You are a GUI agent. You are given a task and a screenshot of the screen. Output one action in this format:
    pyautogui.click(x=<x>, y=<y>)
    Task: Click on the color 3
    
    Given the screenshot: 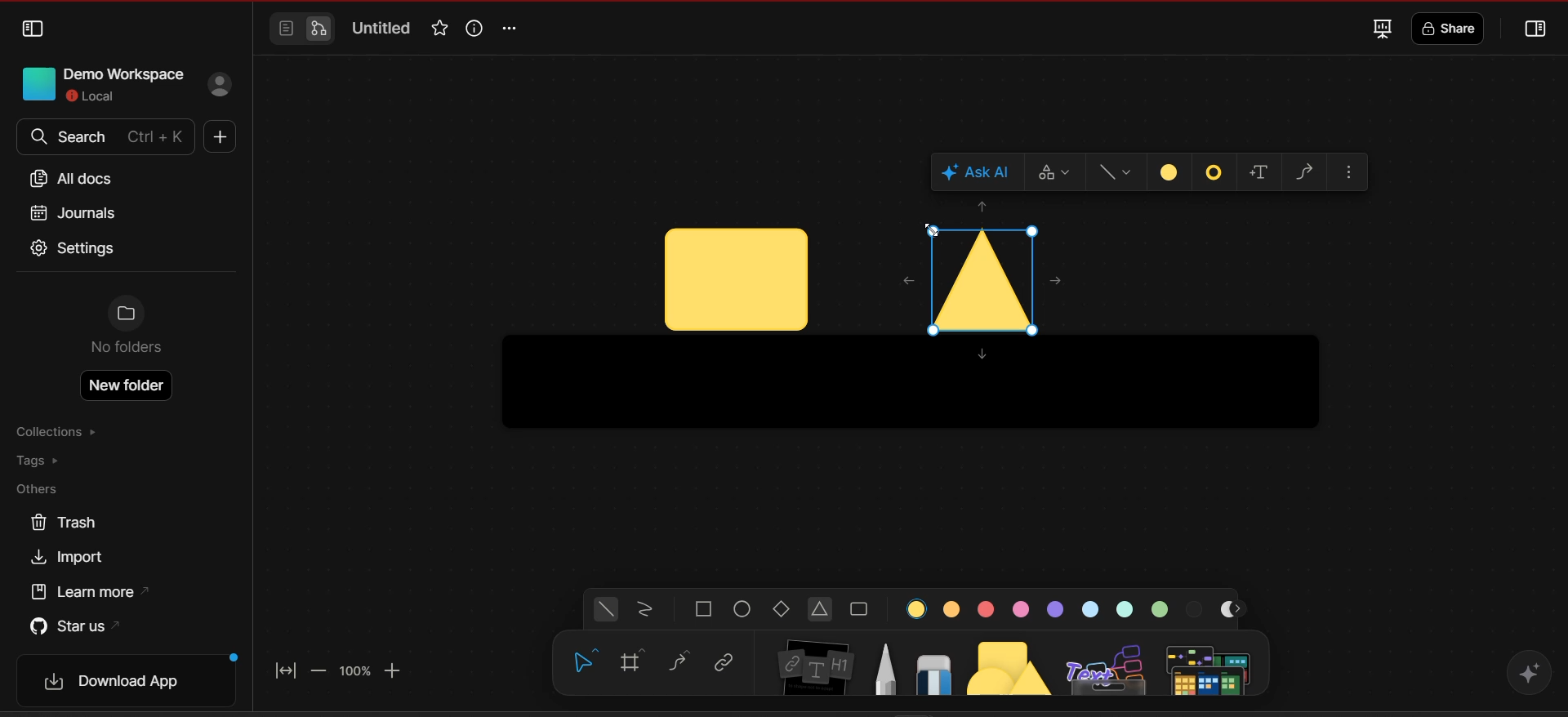 What is the action you would take?
    pyautogui.click(x=985, y=610)
    